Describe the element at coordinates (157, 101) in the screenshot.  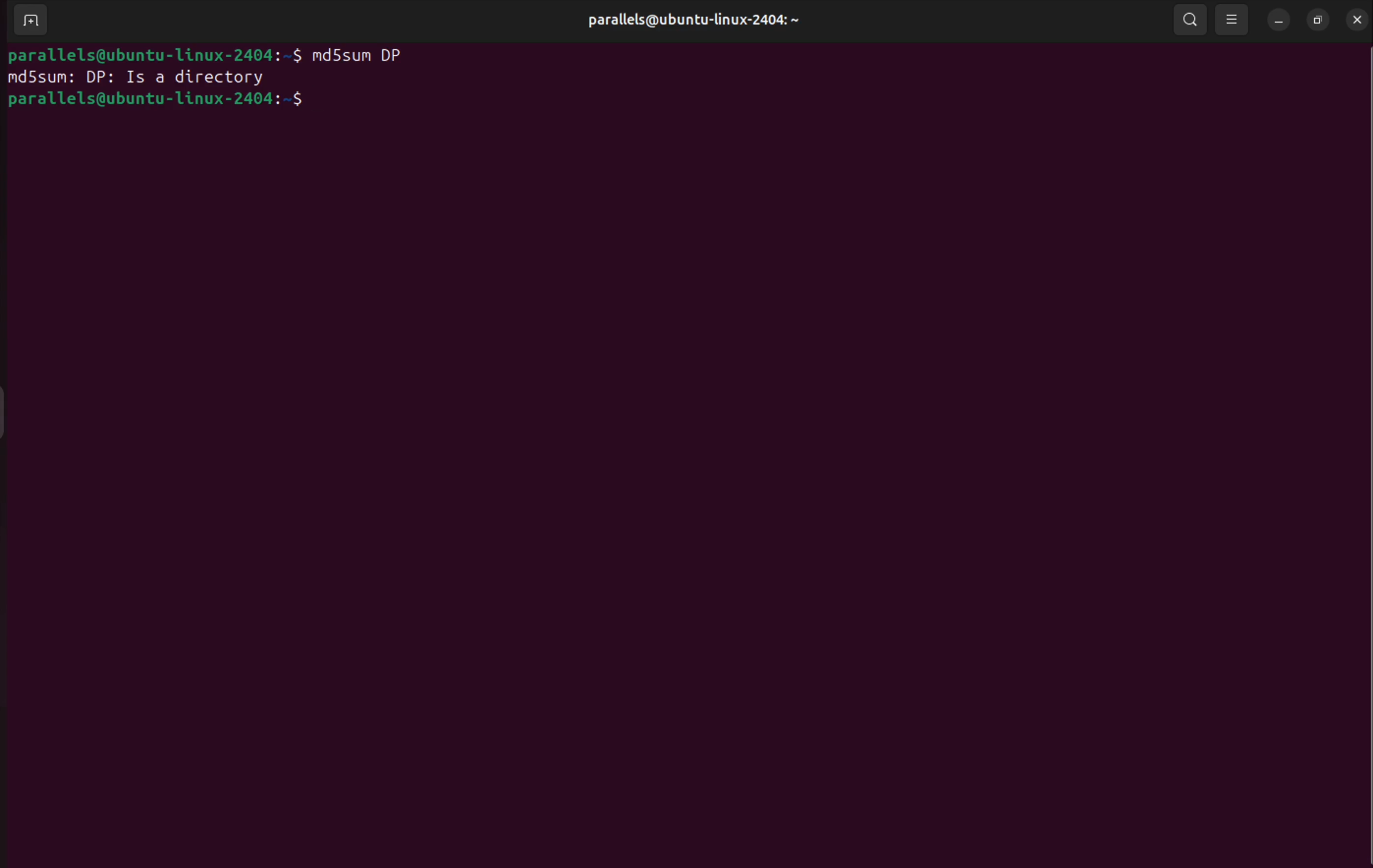
I see `bash prompt` at that location.